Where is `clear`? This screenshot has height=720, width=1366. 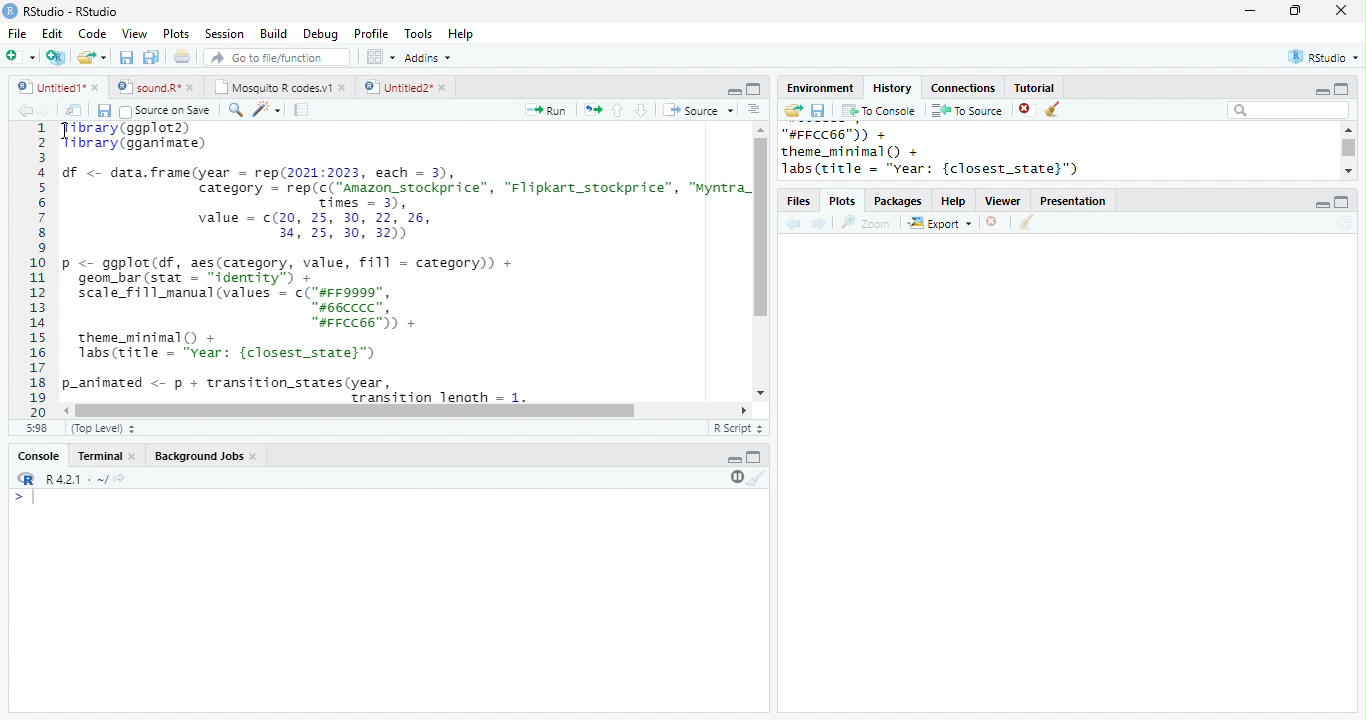
clear is located at coordinates (1027, 222).